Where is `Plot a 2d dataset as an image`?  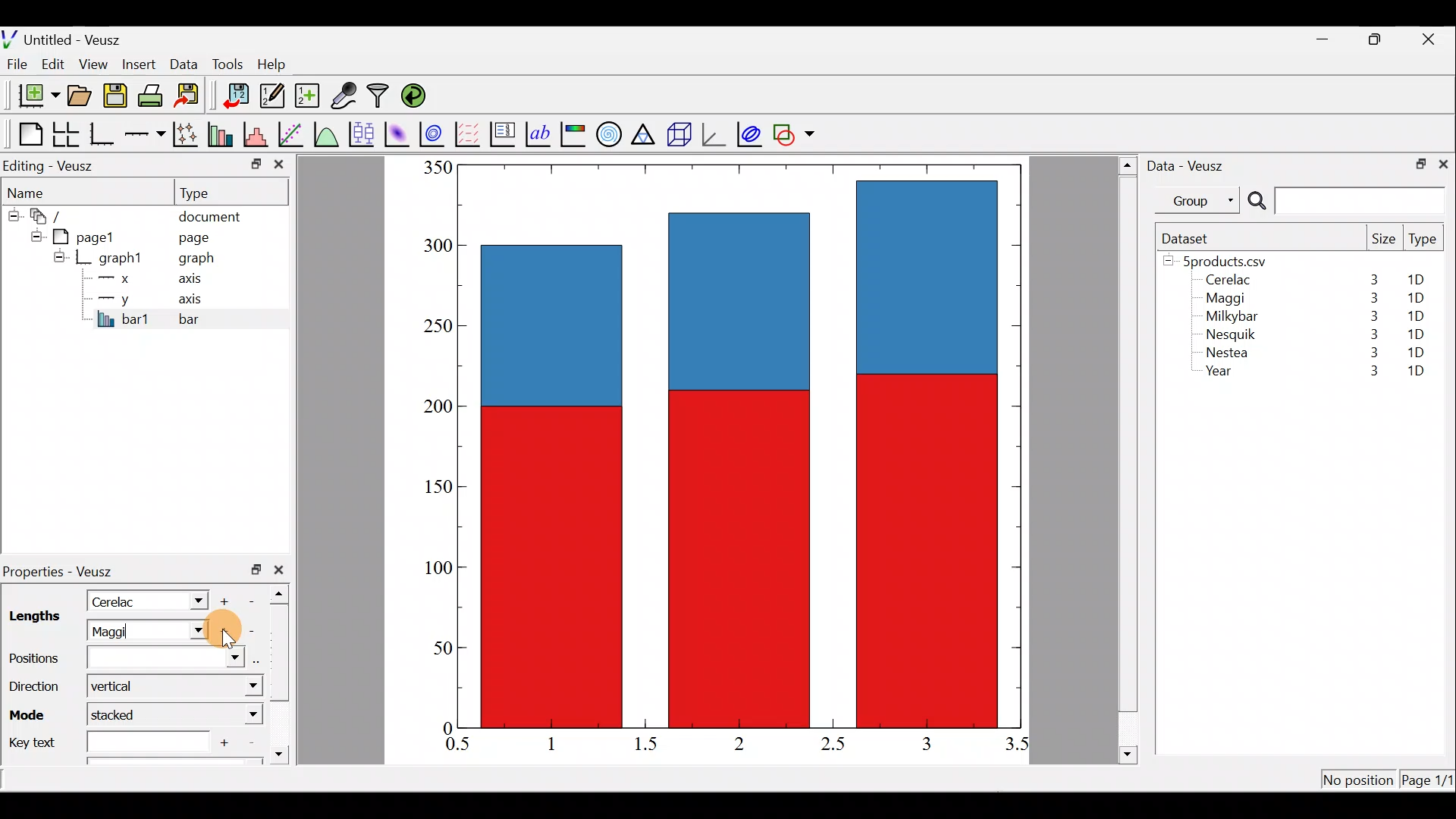
Plot a 2d dataset as an image is located at coordinates (399, 132).